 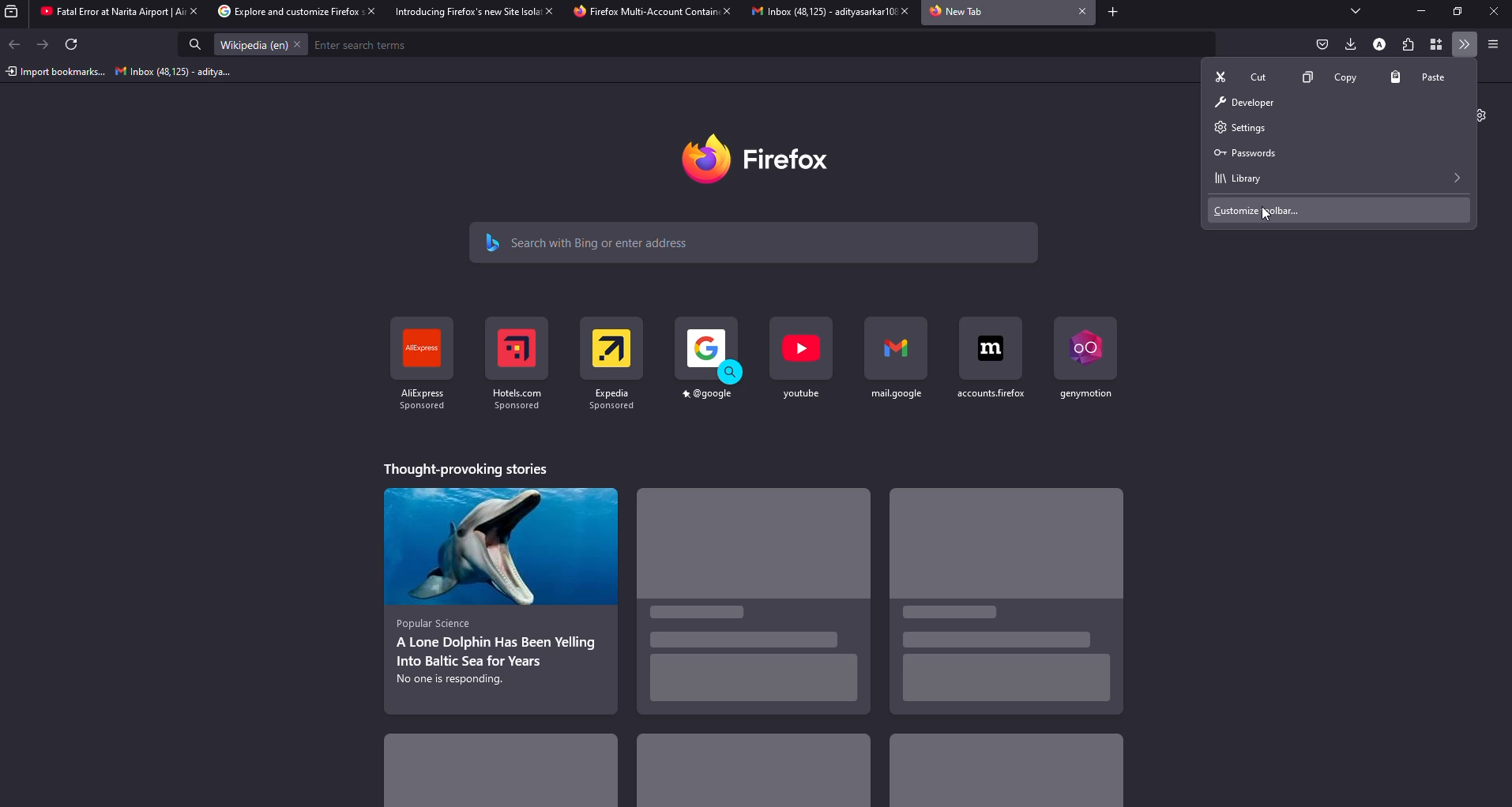 What do you see at coordinates (1492, 43) in the screenshot?
I see `menu` at bounding box center [1492, 43].